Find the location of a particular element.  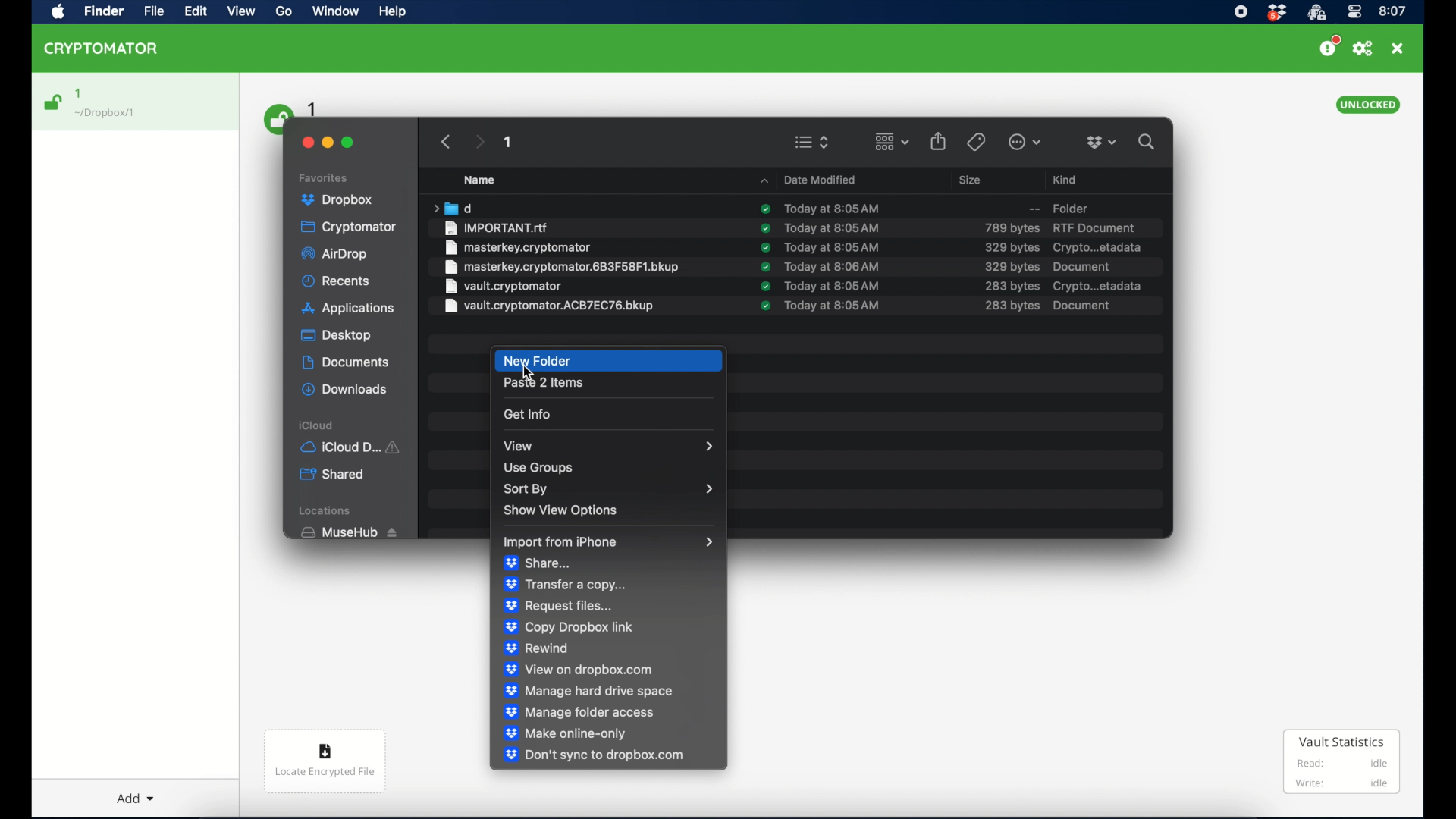

size is located at coordinates (1012, 287).